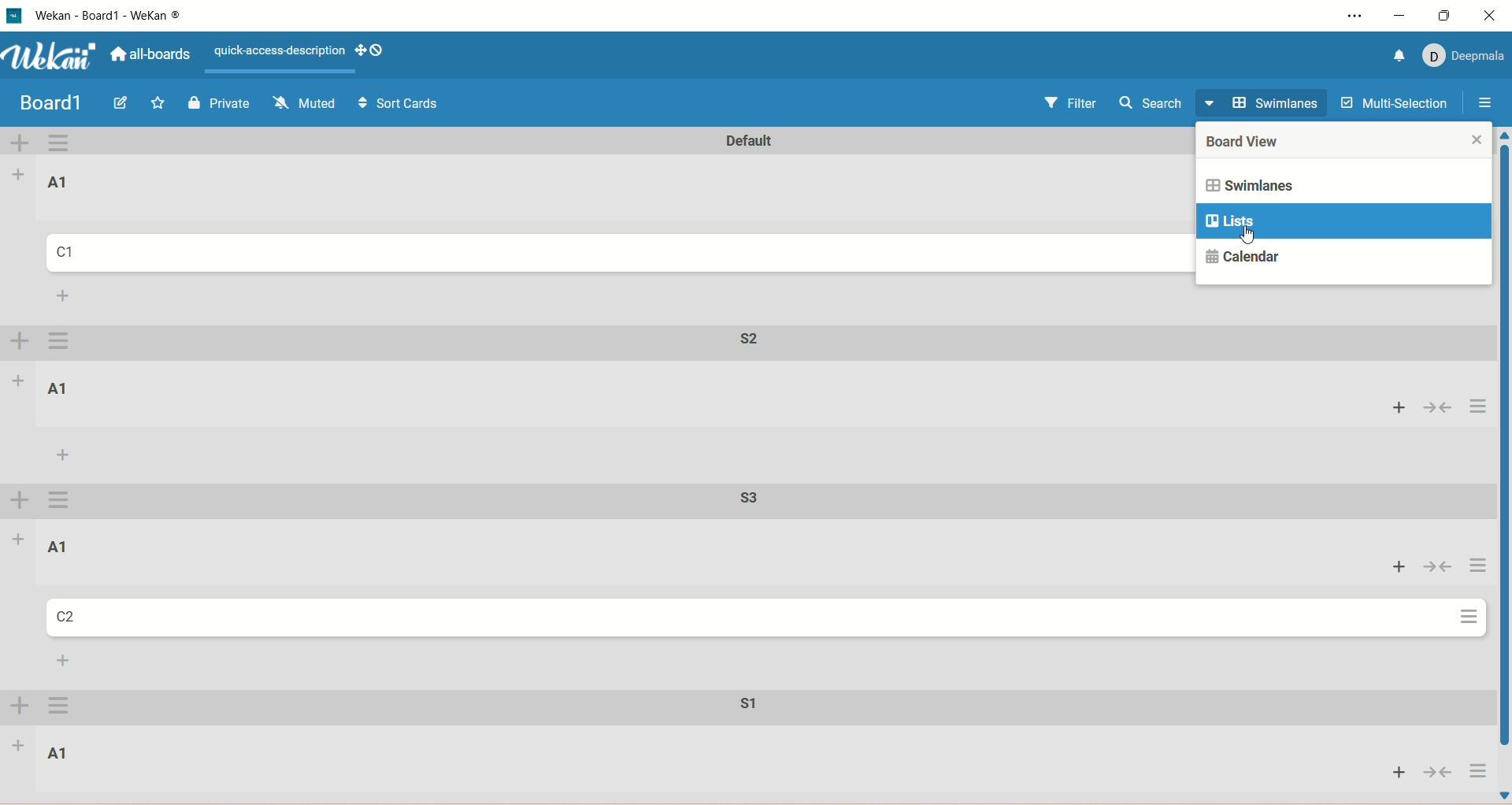 The width and height of the screenshot is (1512, 805). What do you see at coordinates (1284, 184) in the screenshot?
I see `swimlanes` at bounding box center [1284, 184].